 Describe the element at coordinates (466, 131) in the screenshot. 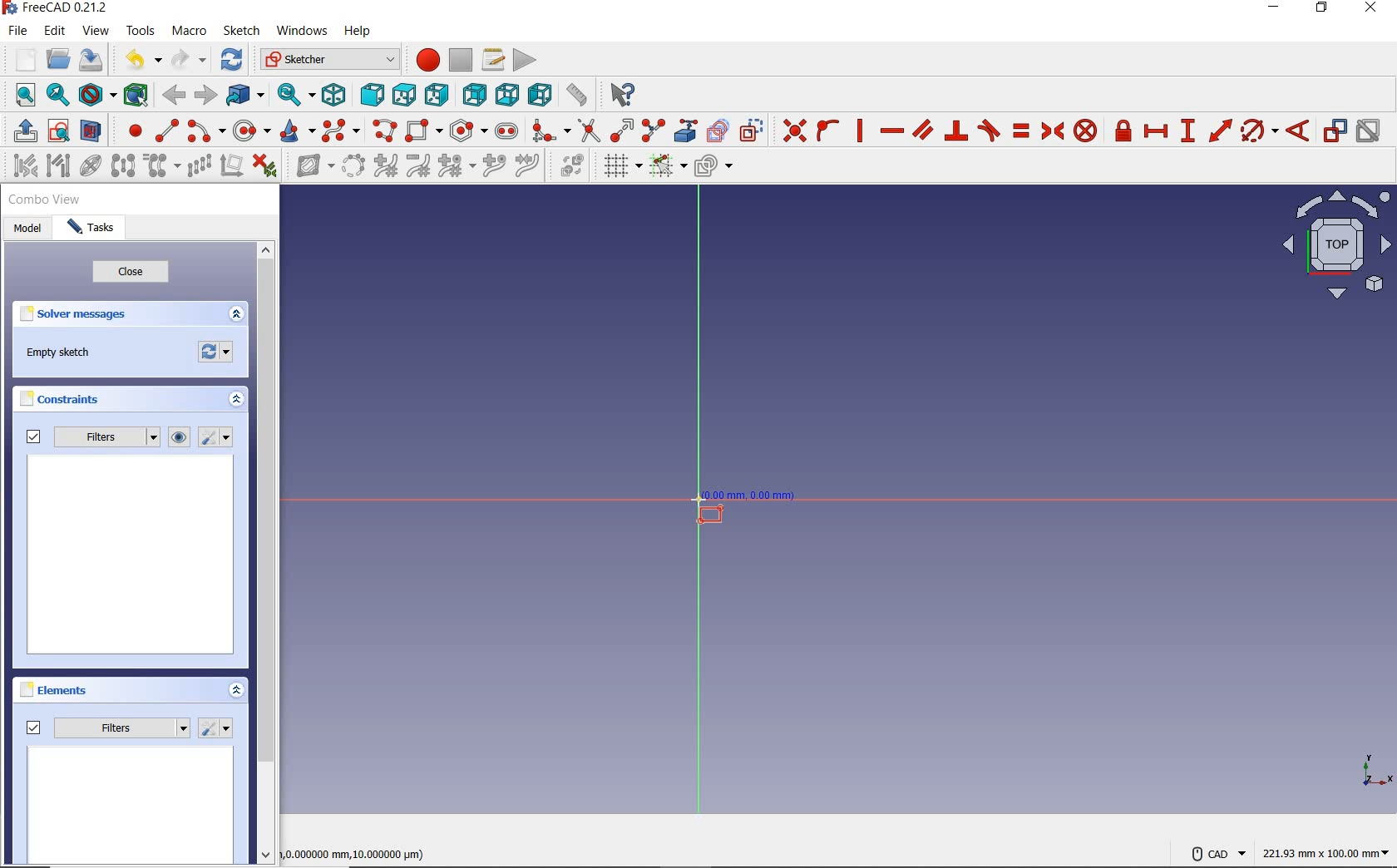

I see `create regular polygon` at that location.